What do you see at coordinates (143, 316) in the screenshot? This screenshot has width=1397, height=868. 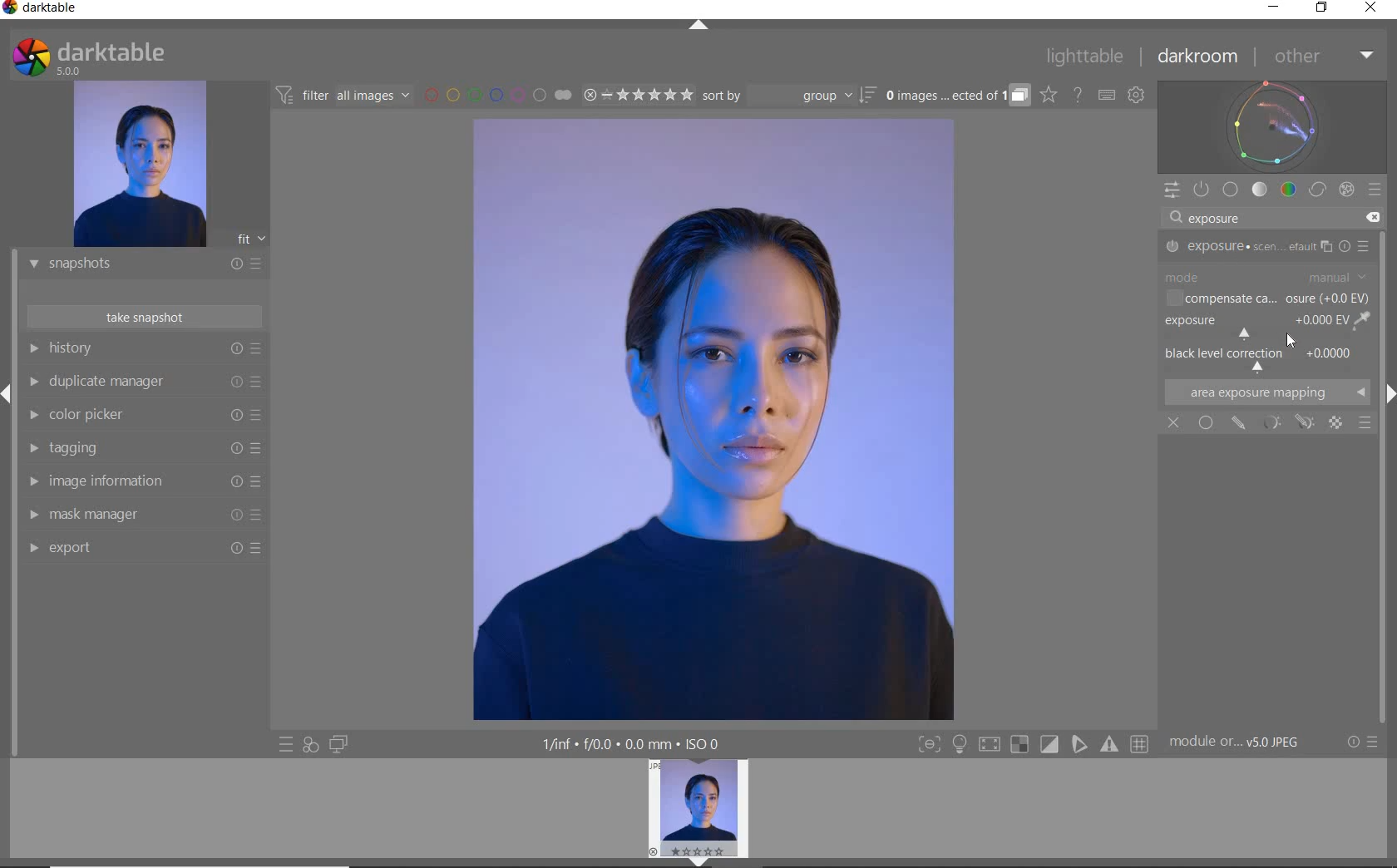 I see `TAKE SNAPSHOT` at bounding box center [143, 316].